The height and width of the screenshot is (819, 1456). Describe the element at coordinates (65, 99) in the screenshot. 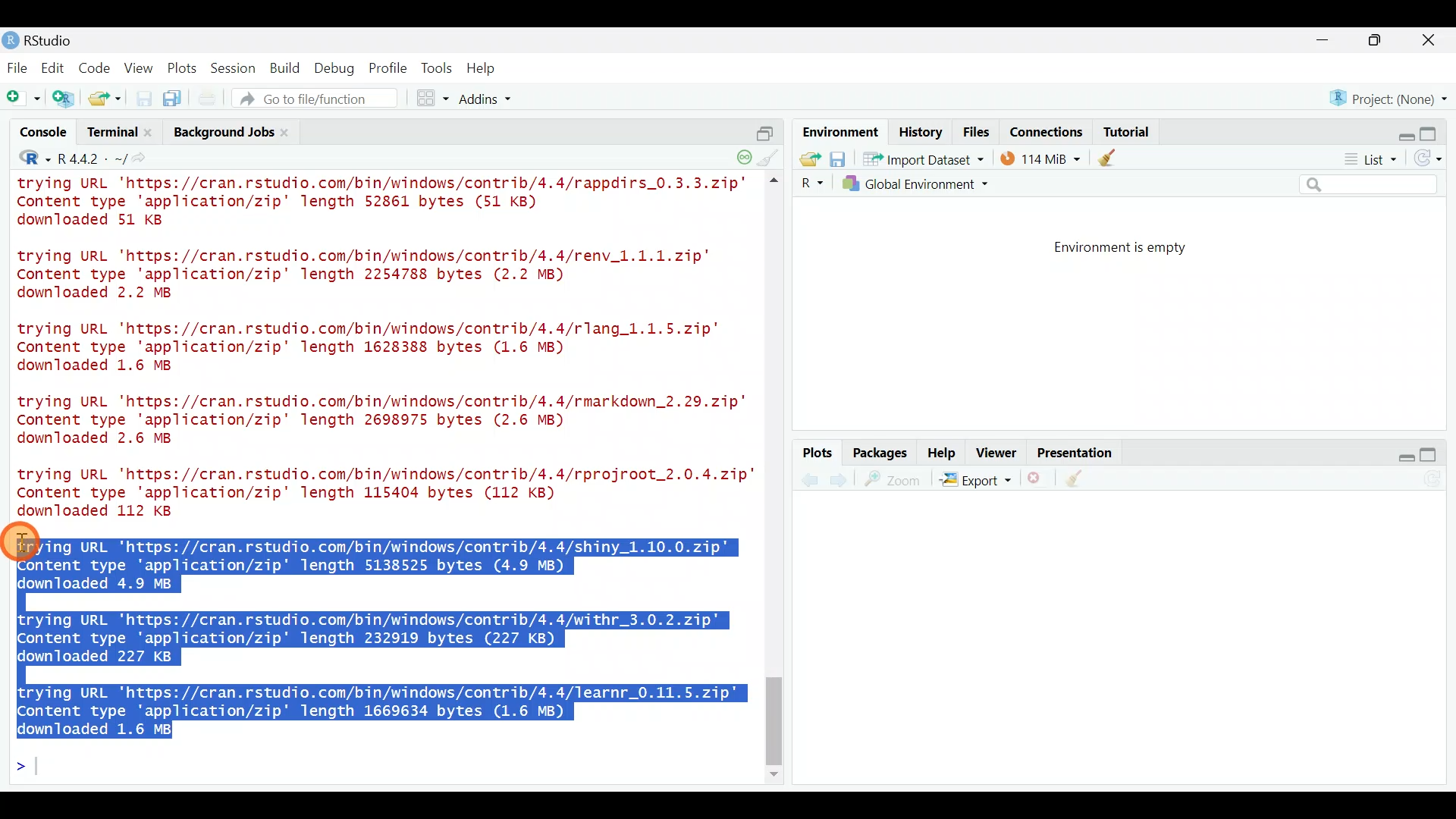

I see `Create a project` at that location.